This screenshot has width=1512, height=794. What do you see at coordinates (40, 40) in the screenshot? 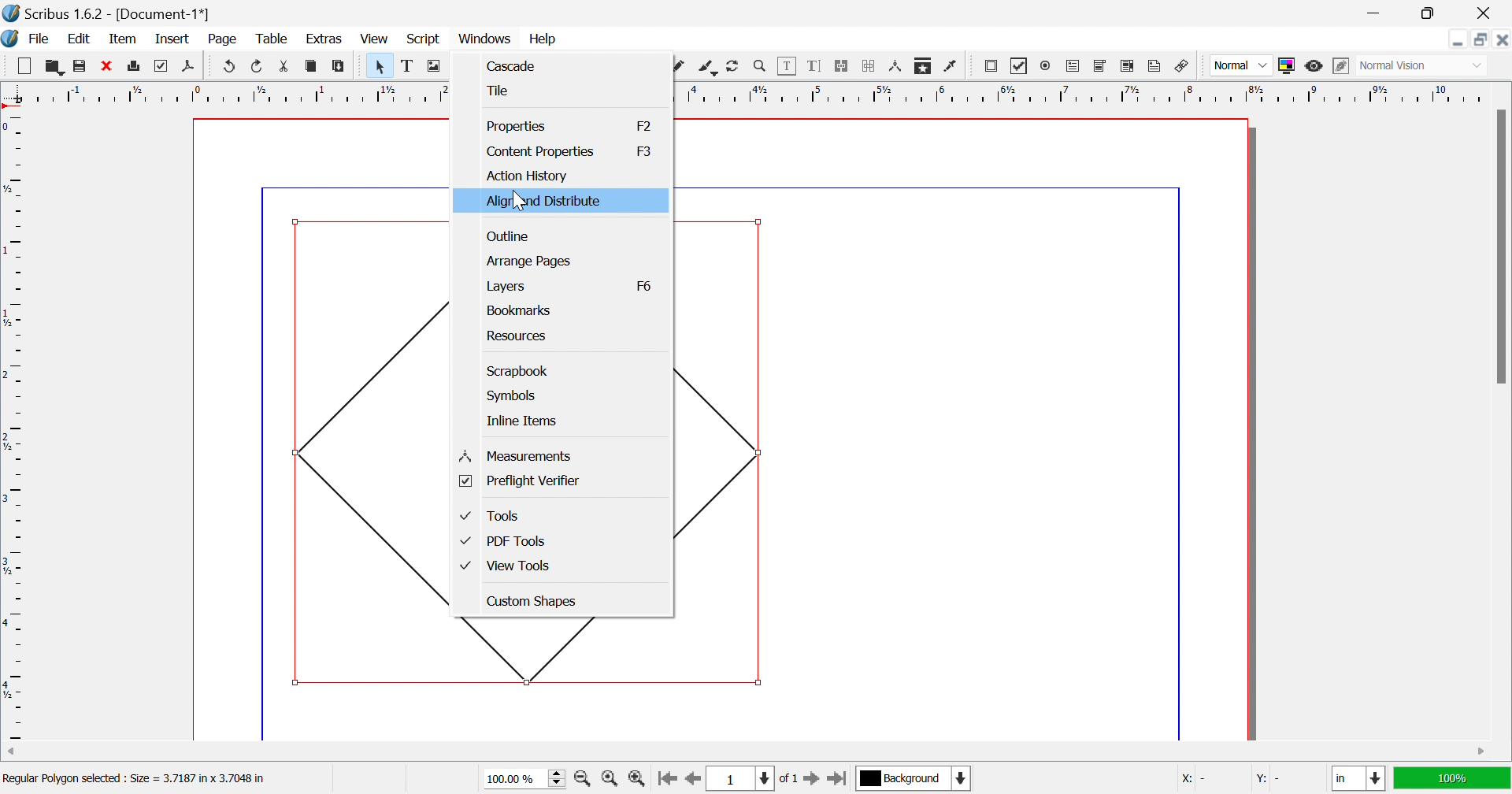
I see `File` at bounding box center [40, 40].